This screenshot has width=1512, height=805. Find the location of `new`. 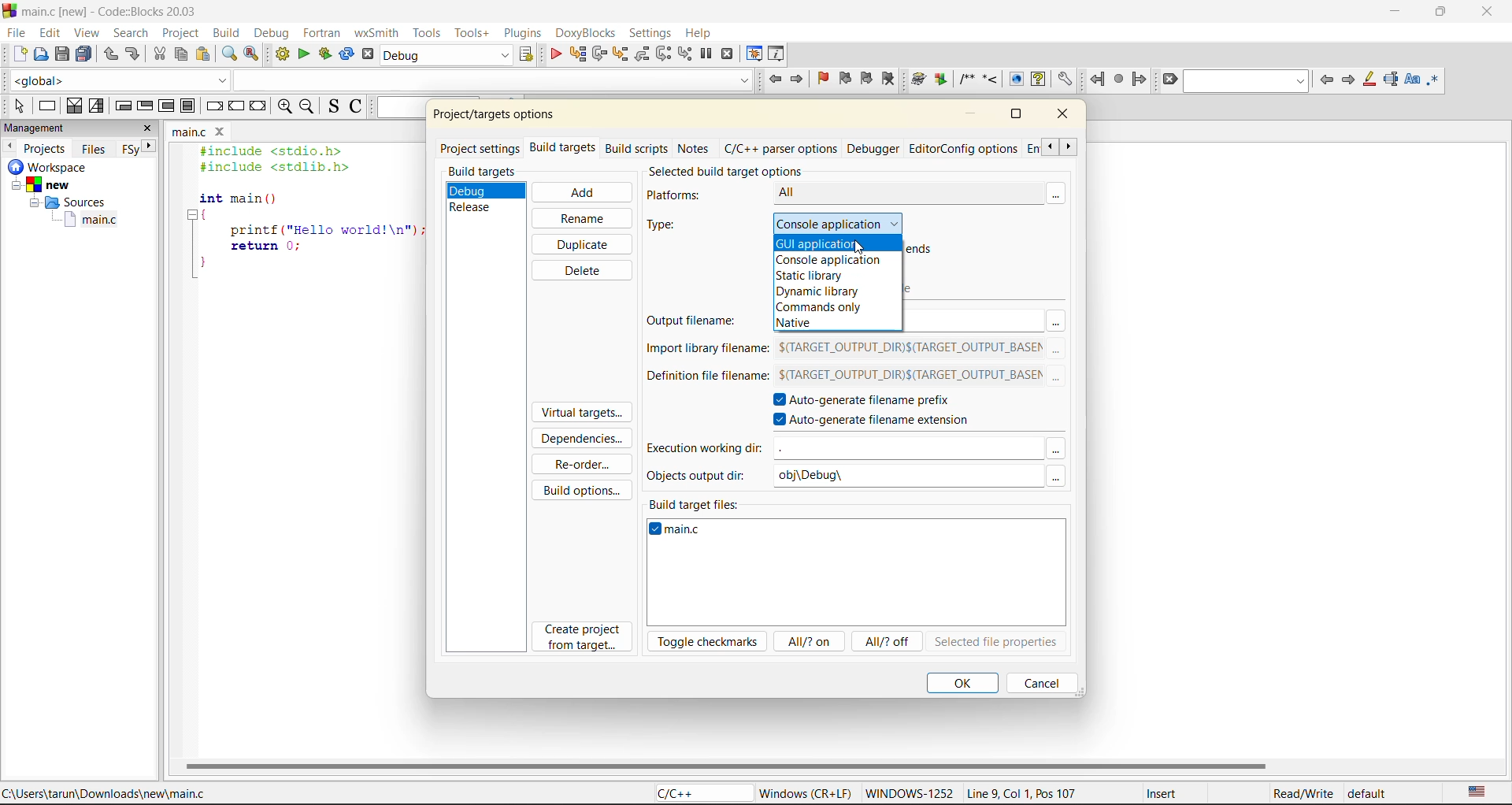

new is located at coordinates (19, 54).